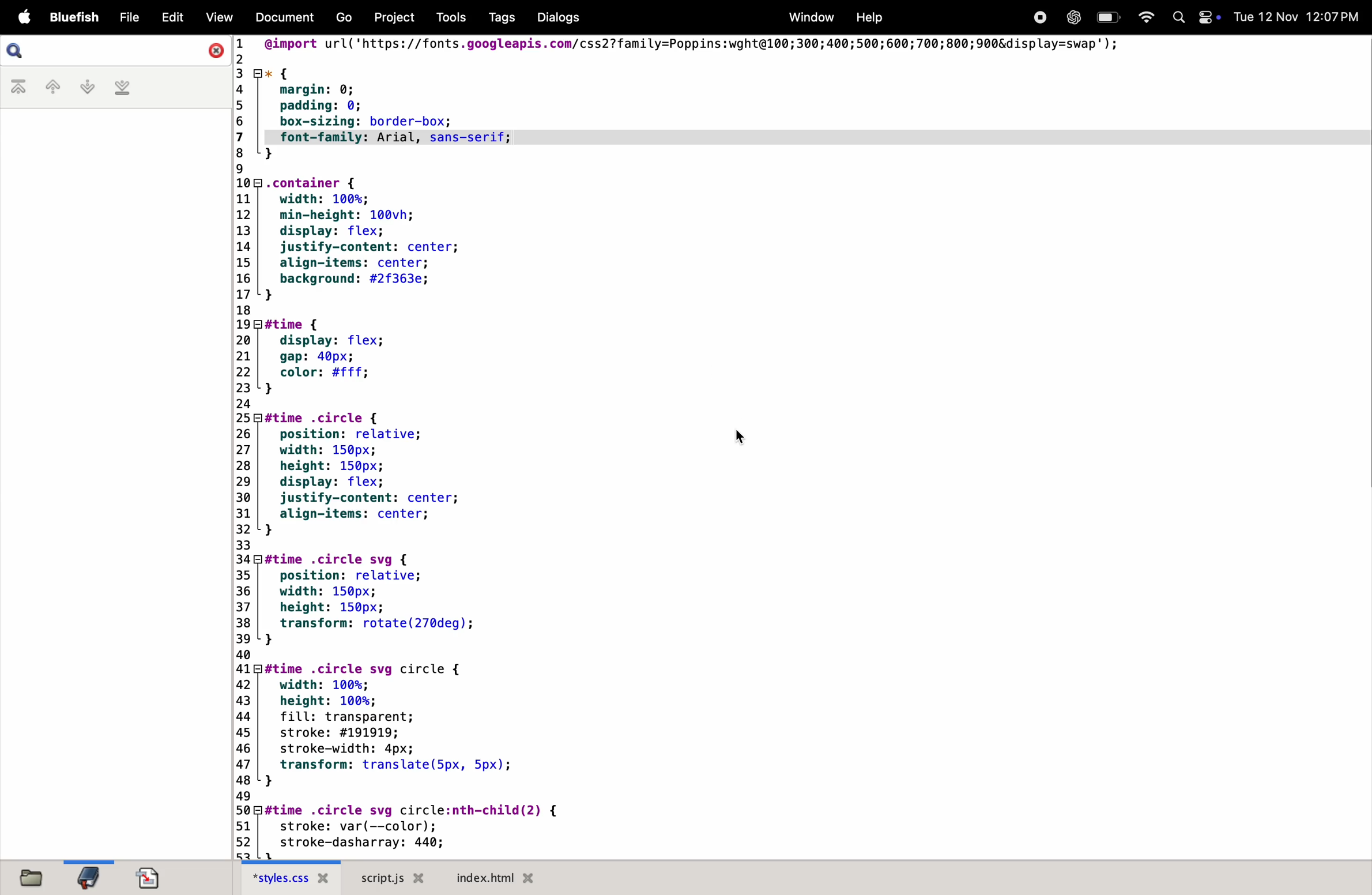  Describe the element at coordinates (127, 17) in the screenshot. I see `file` at that location.